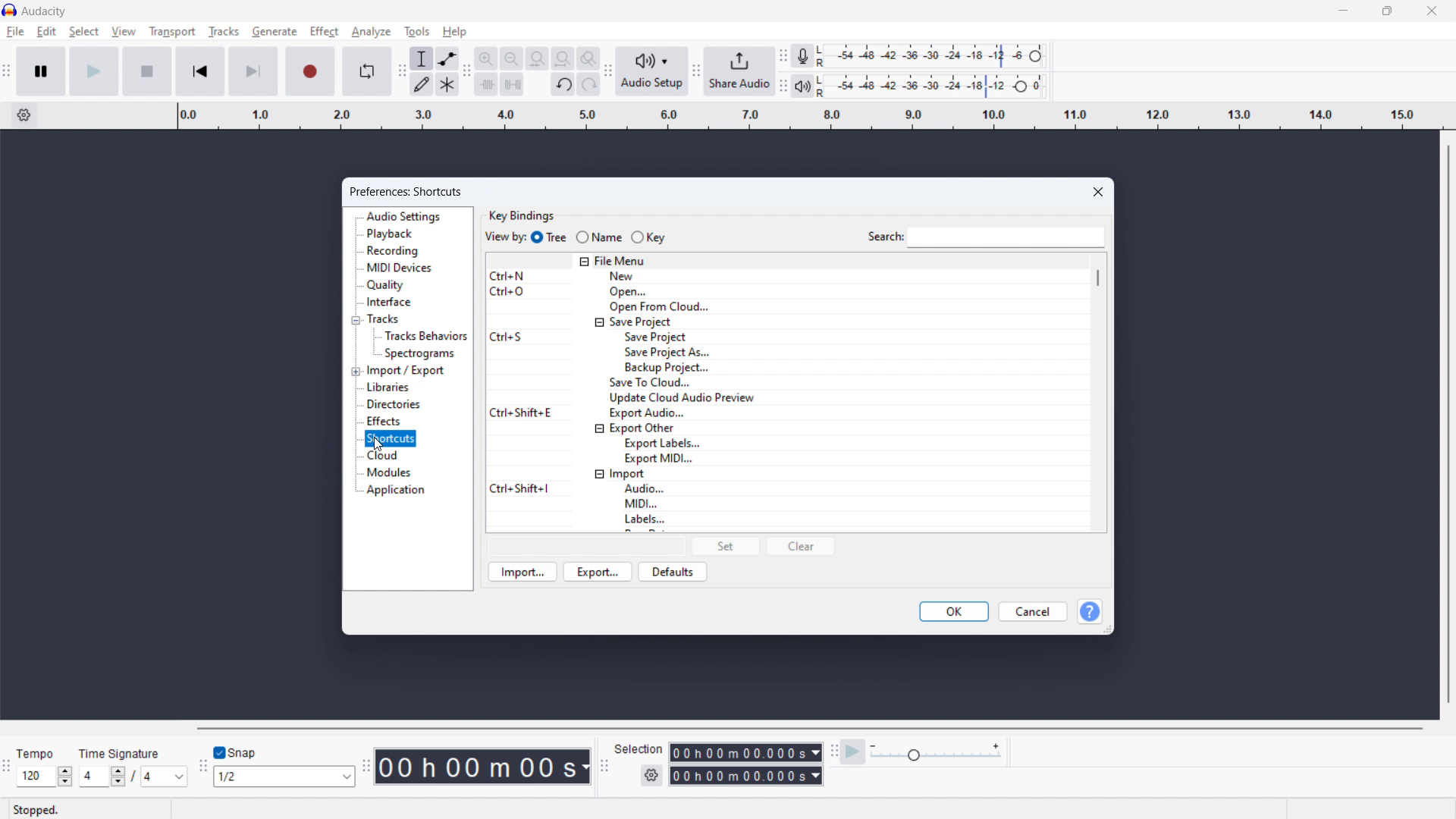  What do you see at coordinates (388, 302) in the screenshot?
I see `interface` at bounding box center [388, 302].